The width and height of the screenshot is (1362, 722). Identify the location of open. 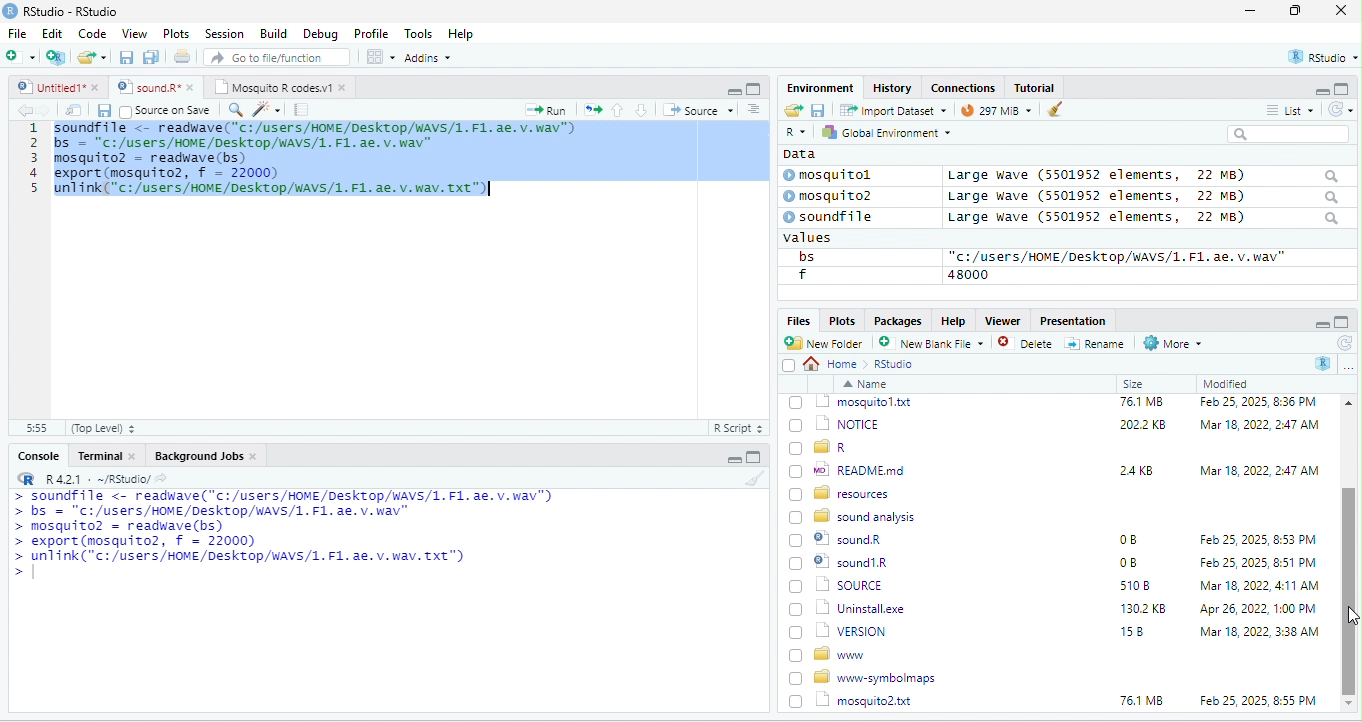
(792, 111).